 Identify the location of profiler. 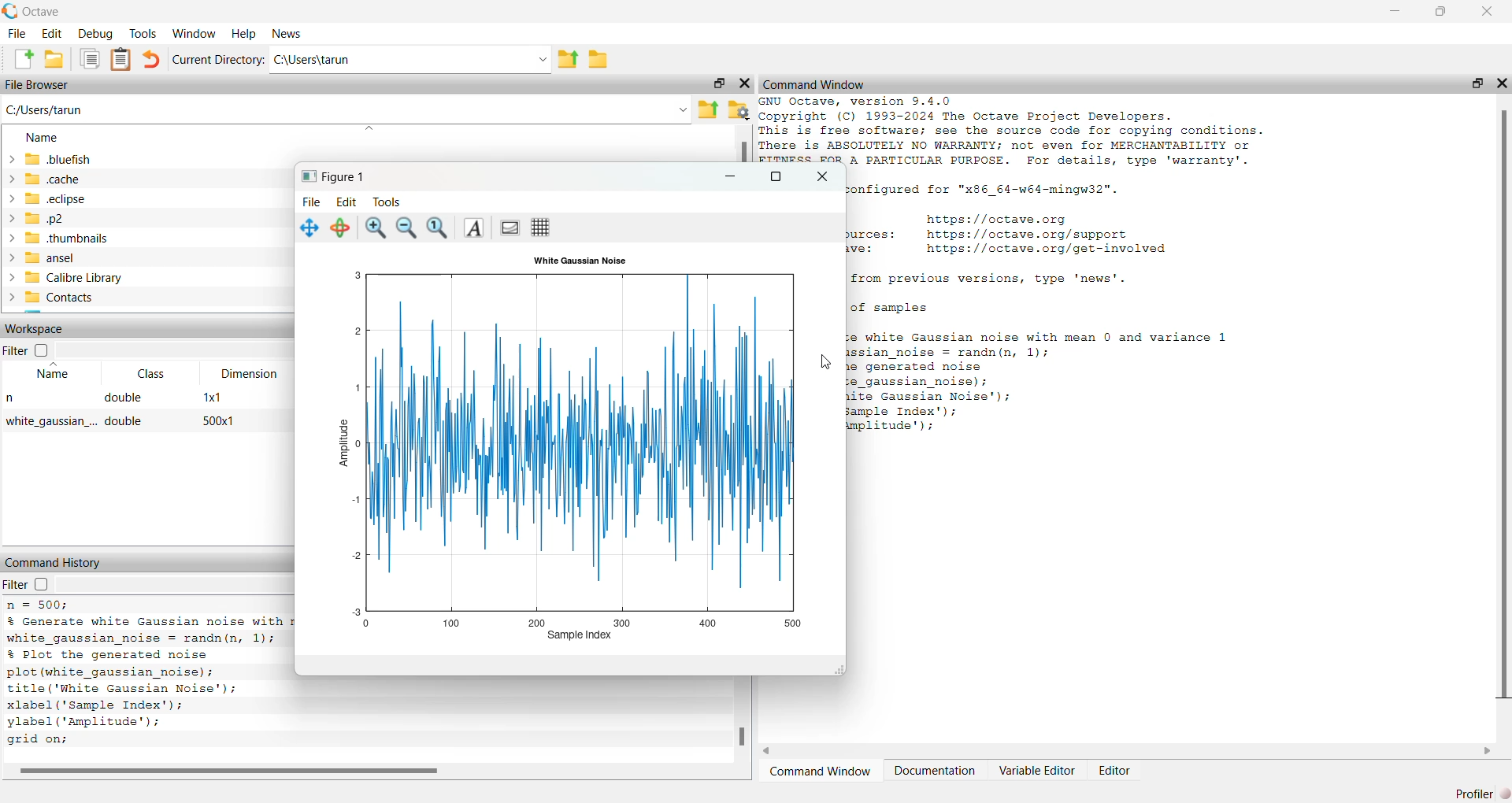
(1466, 794).